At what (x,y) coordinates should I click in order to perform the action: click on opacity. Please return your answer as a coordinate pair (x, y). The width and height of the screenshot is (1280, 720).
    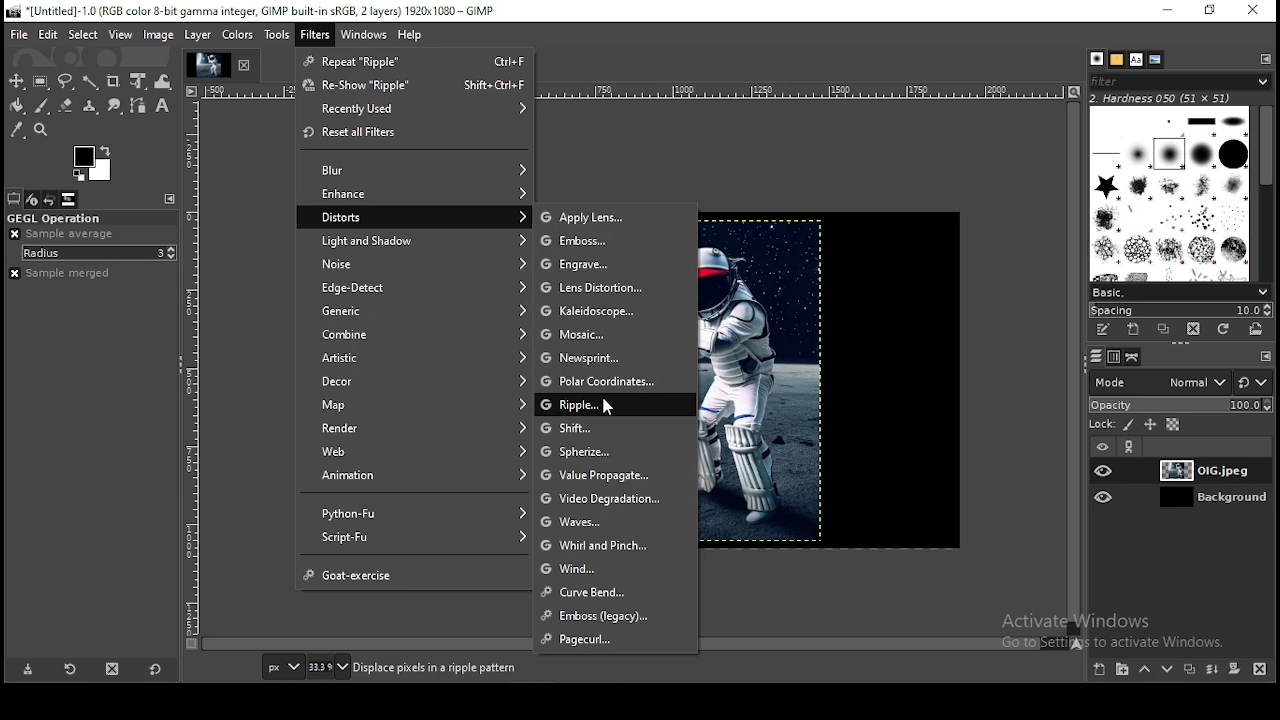
    Looking at the image, I should click on (1180, 404).